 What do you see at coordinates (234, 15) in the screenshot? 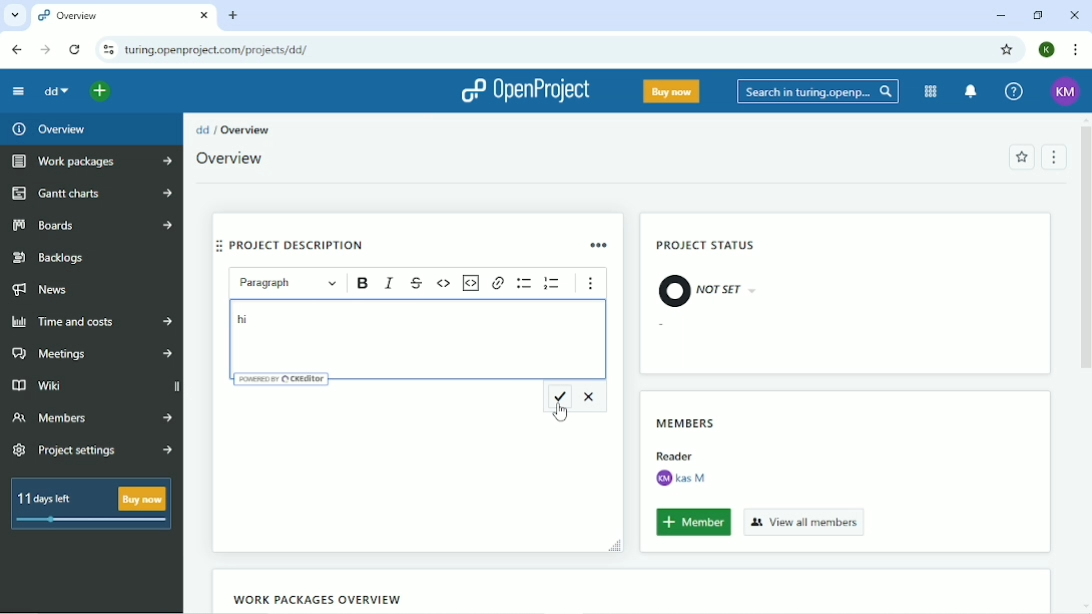
I see `New tab` at bounding box center [234, 15].